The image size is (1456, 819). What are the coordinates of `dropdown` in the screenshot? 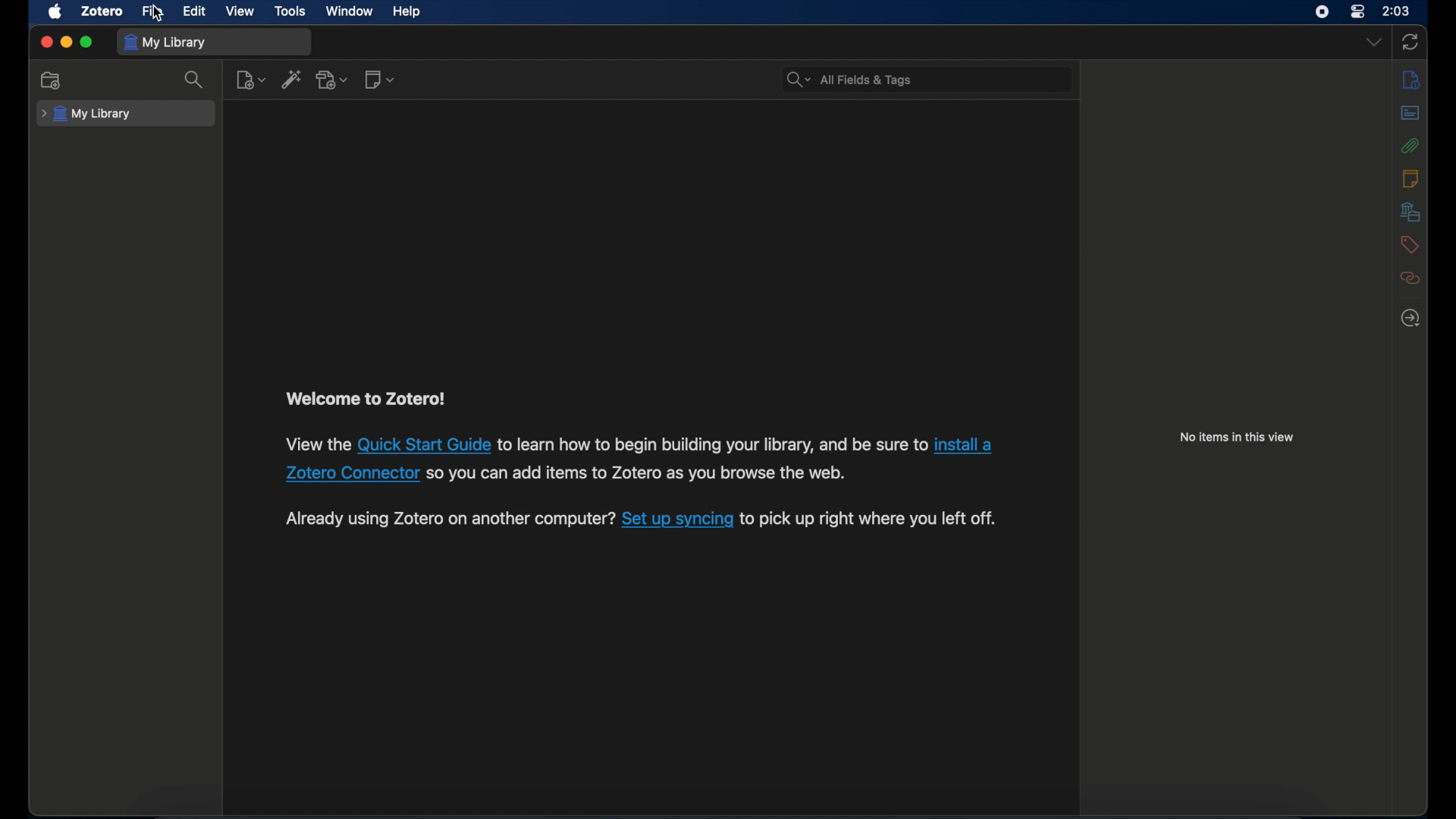 It's located at (1375, 41).